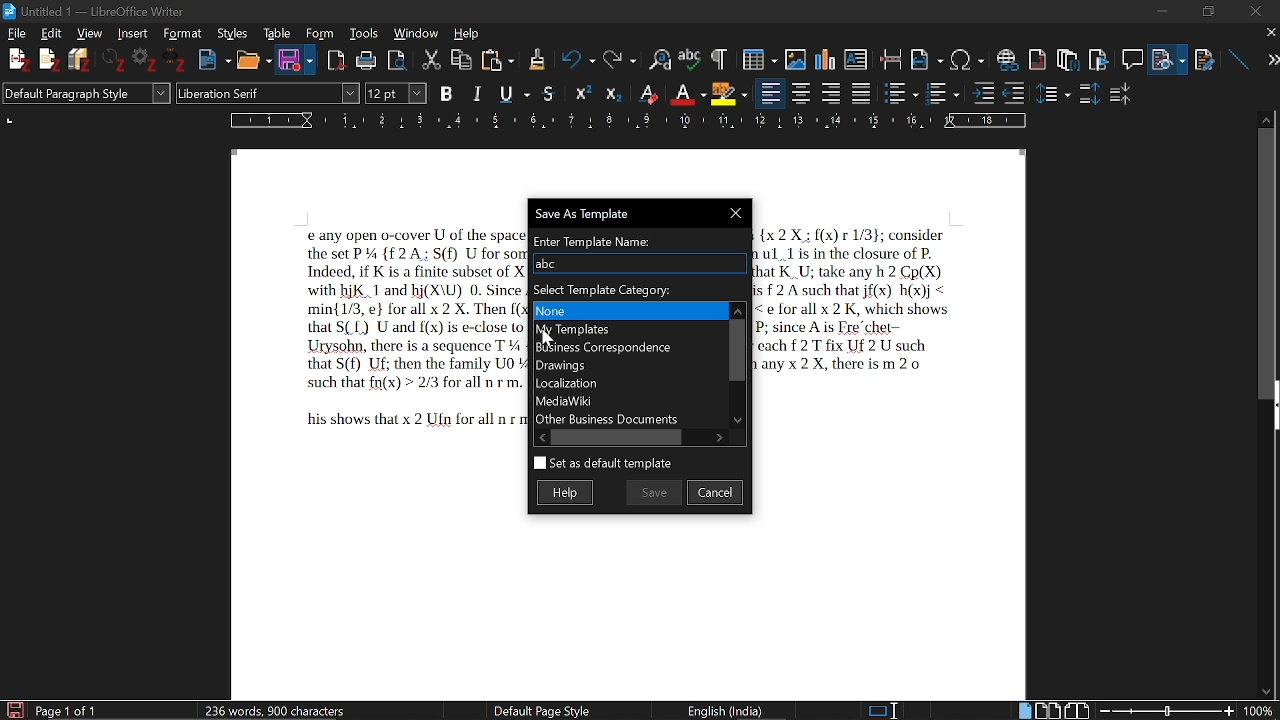 Image resolution: width=1280 pixels, height=720 pixels. Describe the element at coordinates (131, 34) in the screenshot. I see `Insert` at that location.